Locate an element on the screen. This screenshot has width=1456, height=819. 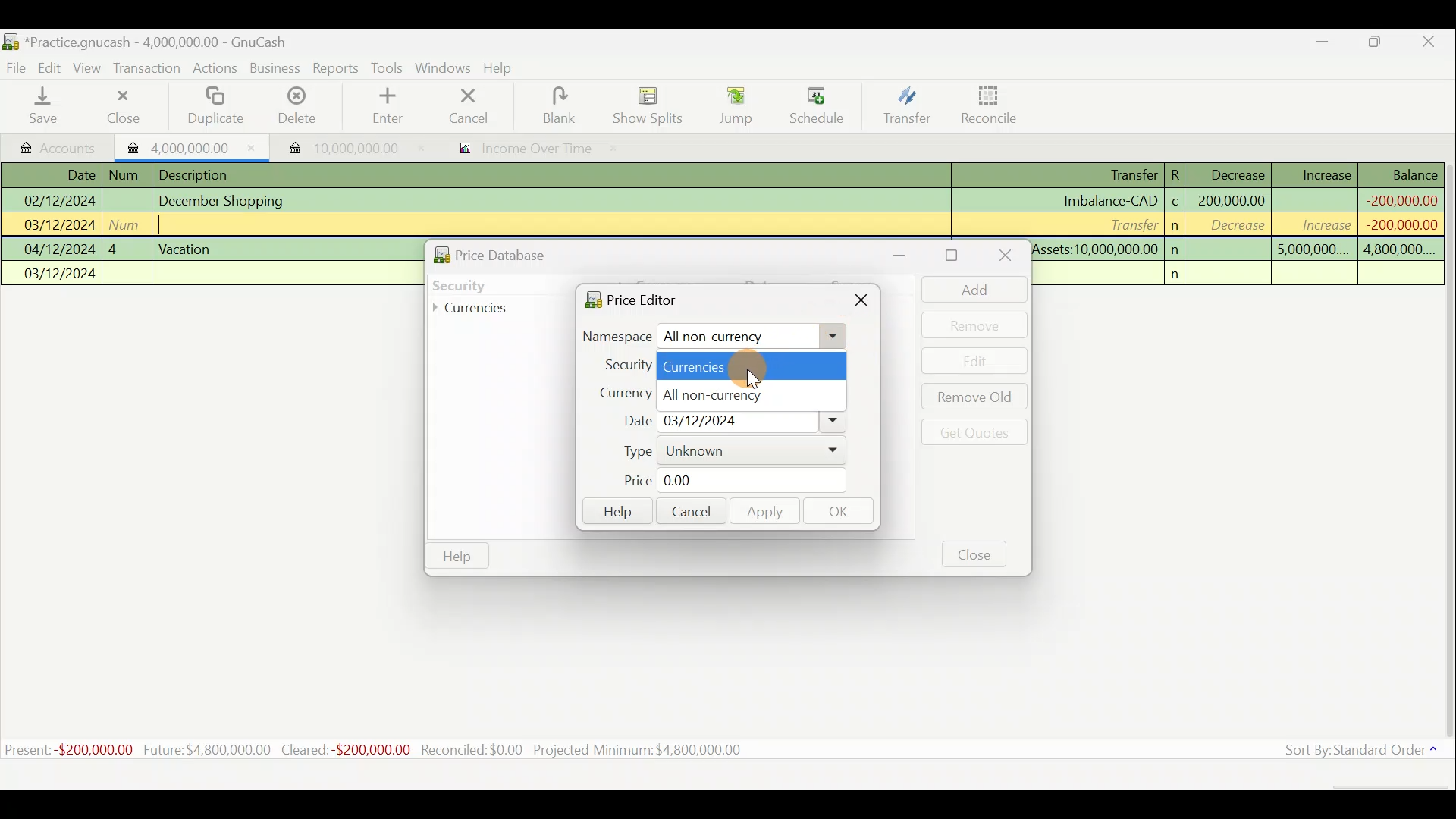
c is located at coordinates (1175, 203).